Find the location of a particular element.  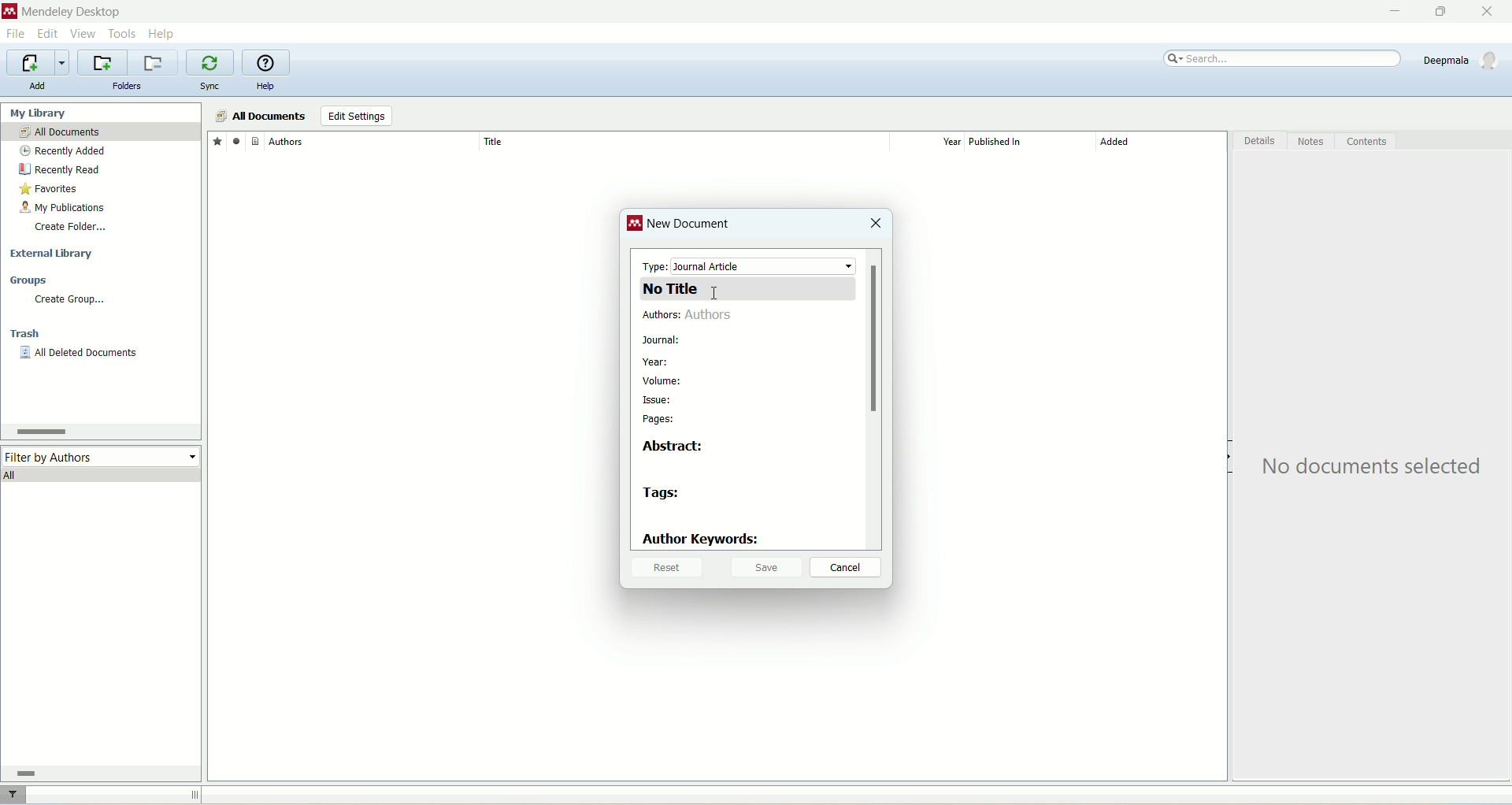

published in is located at coordinates (1024, 142).